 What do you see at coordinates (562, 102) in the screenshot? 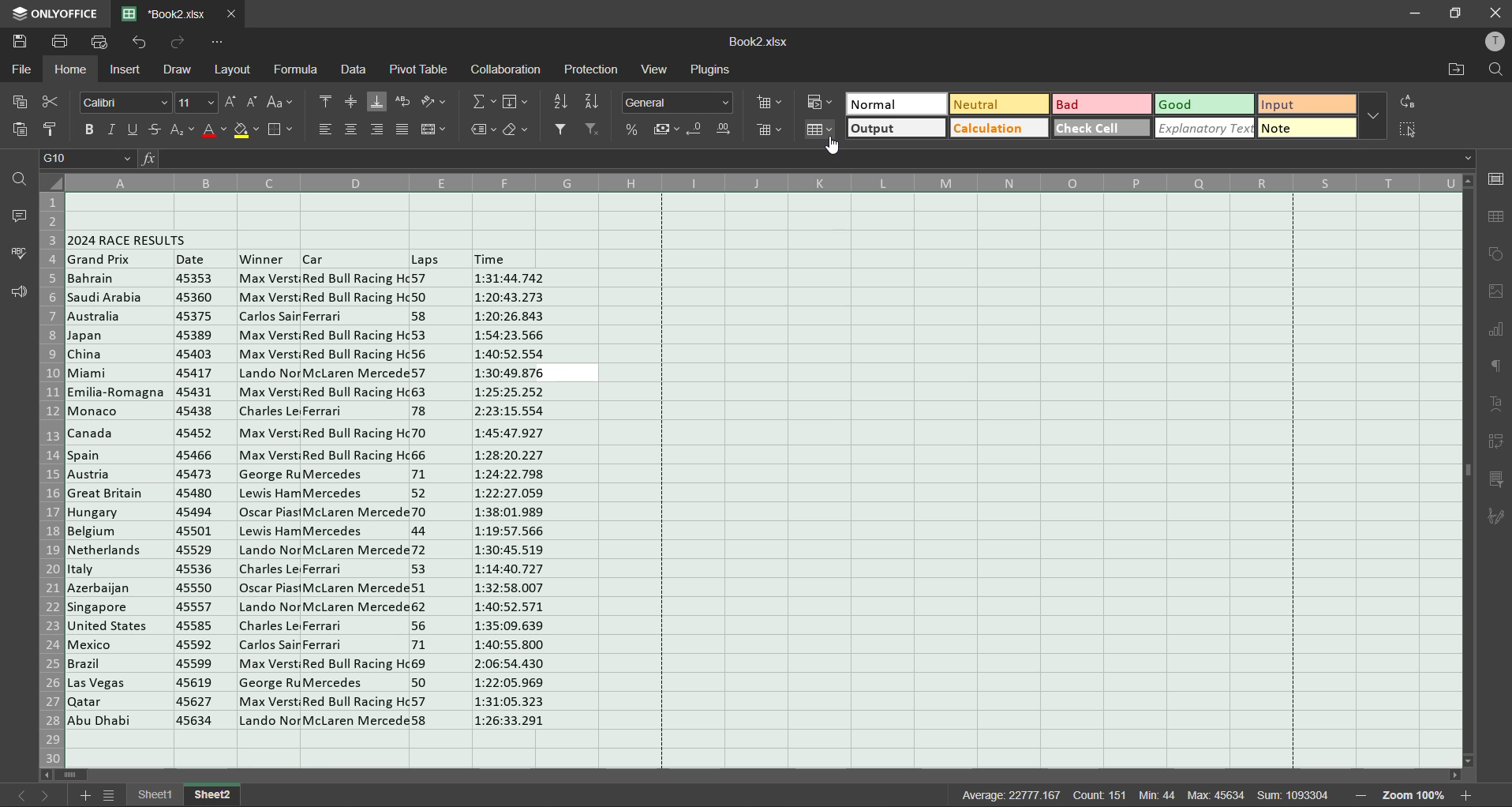
I see `sort ascending` at bounding box center [562, 102].